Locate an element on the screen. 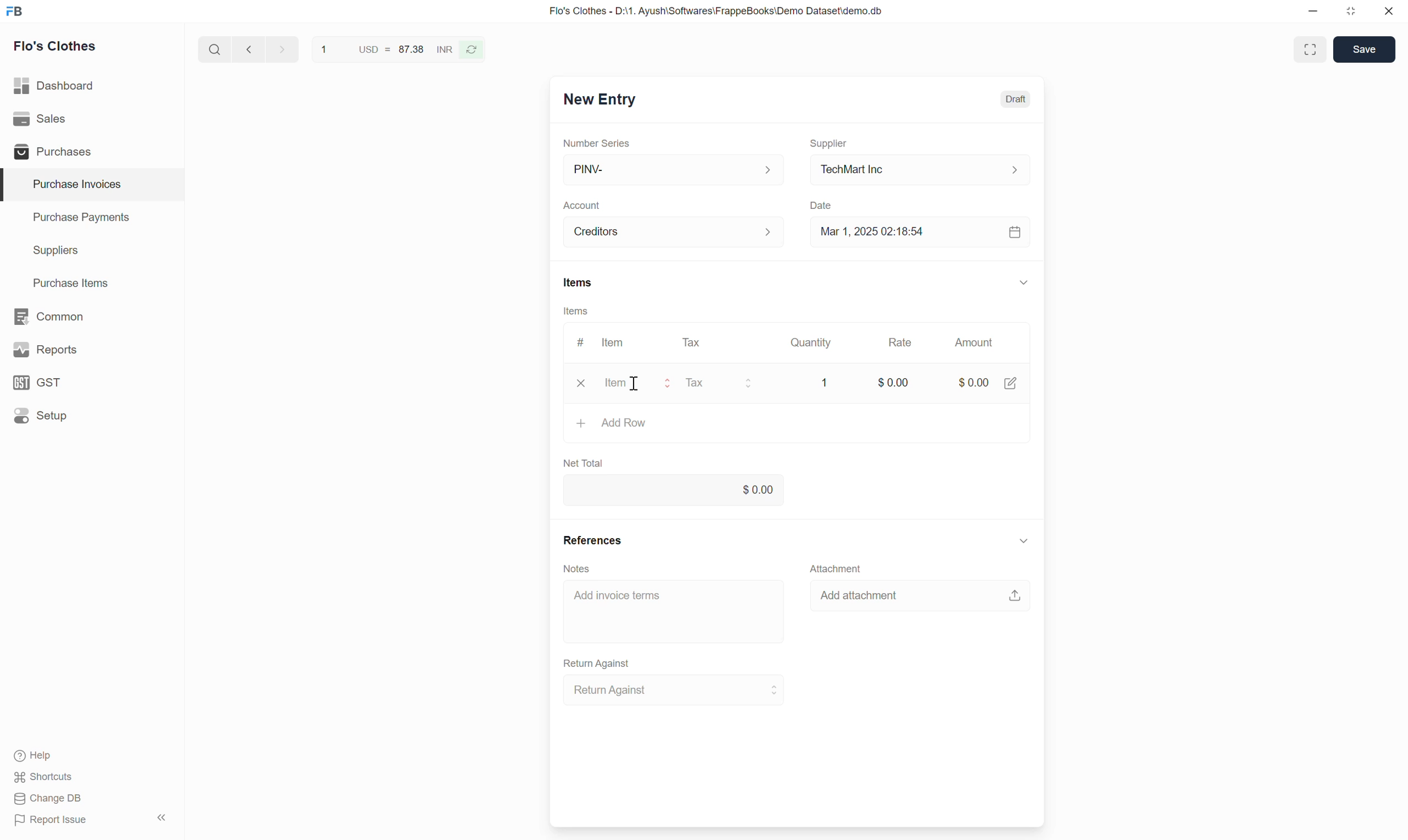  0.00 is located at coordinates (674, 489).